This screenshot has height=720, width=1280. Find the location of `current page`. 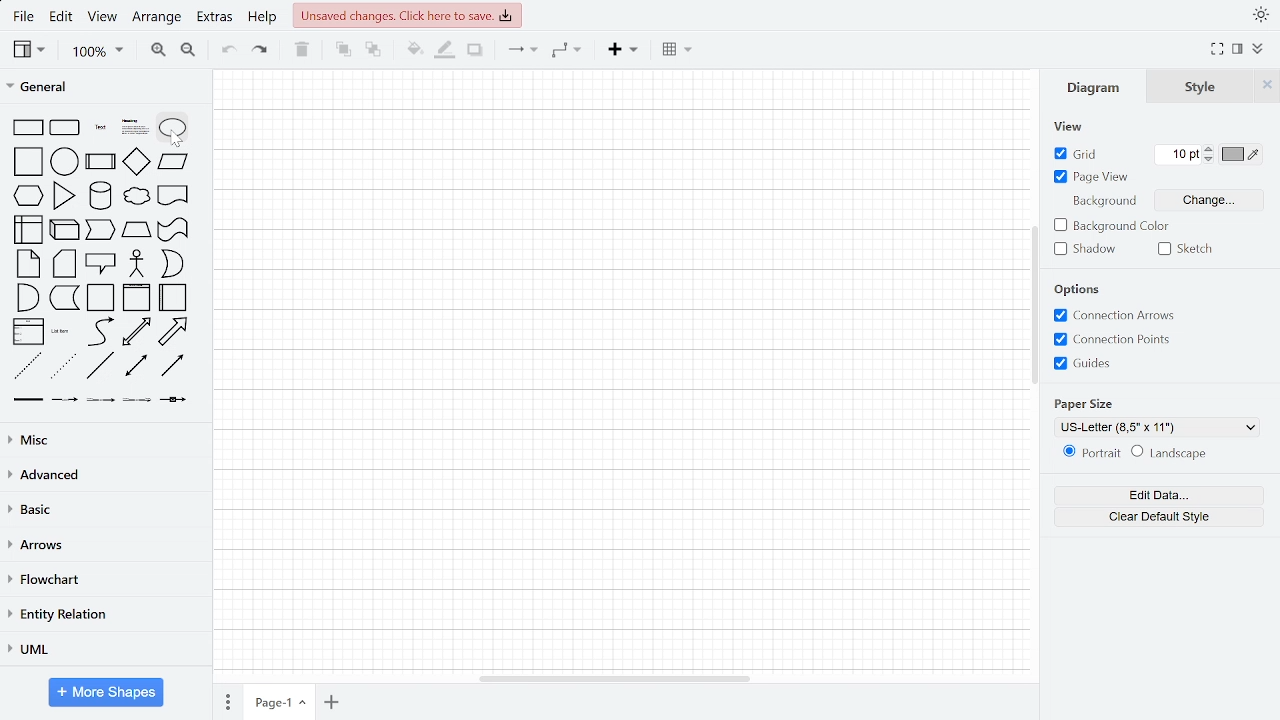

current page is located at coordinates (278, 703).